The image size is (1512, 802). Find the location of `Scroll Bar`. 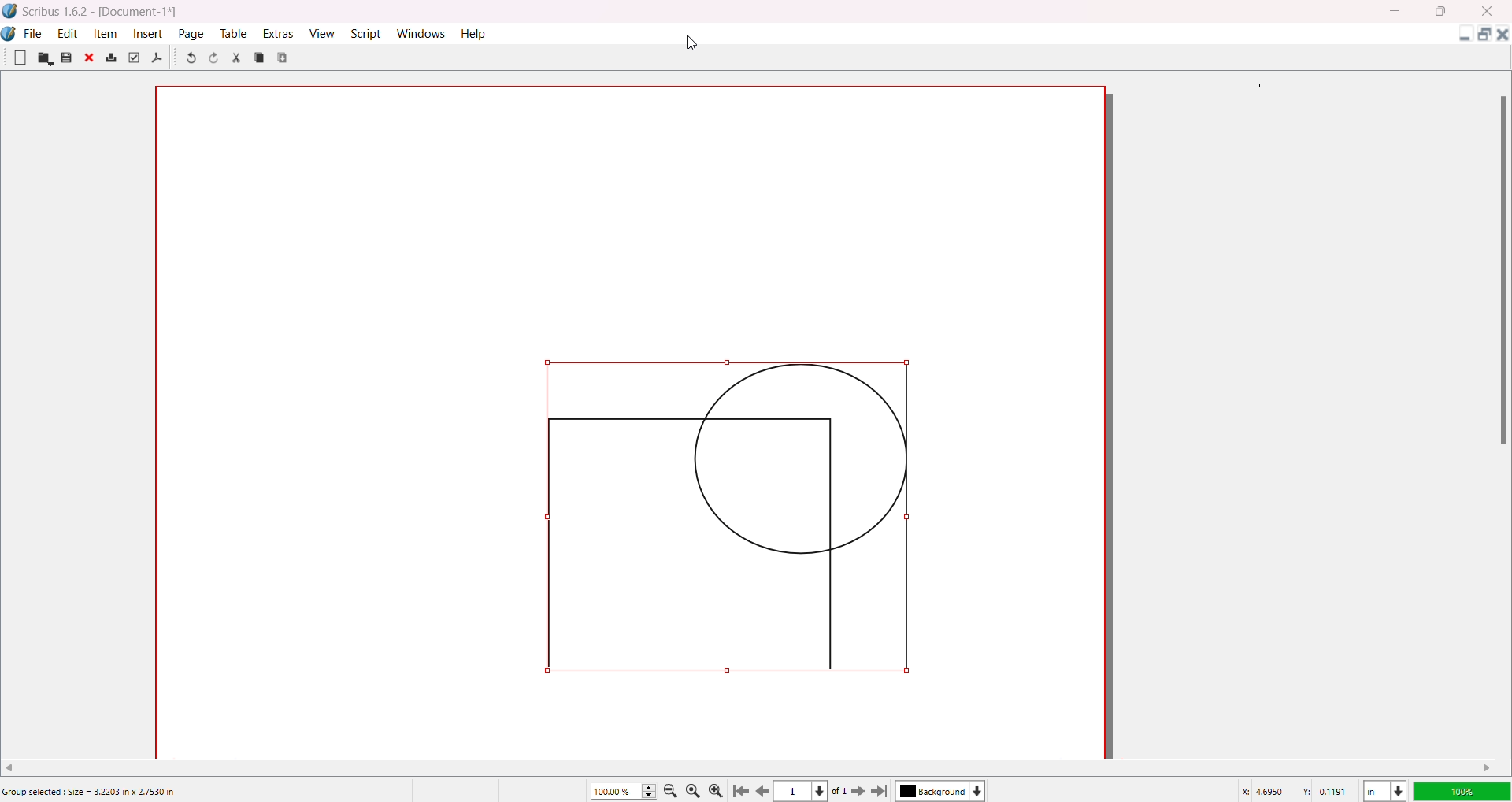

Scroll Bar is located at coordinates (1499, 269).